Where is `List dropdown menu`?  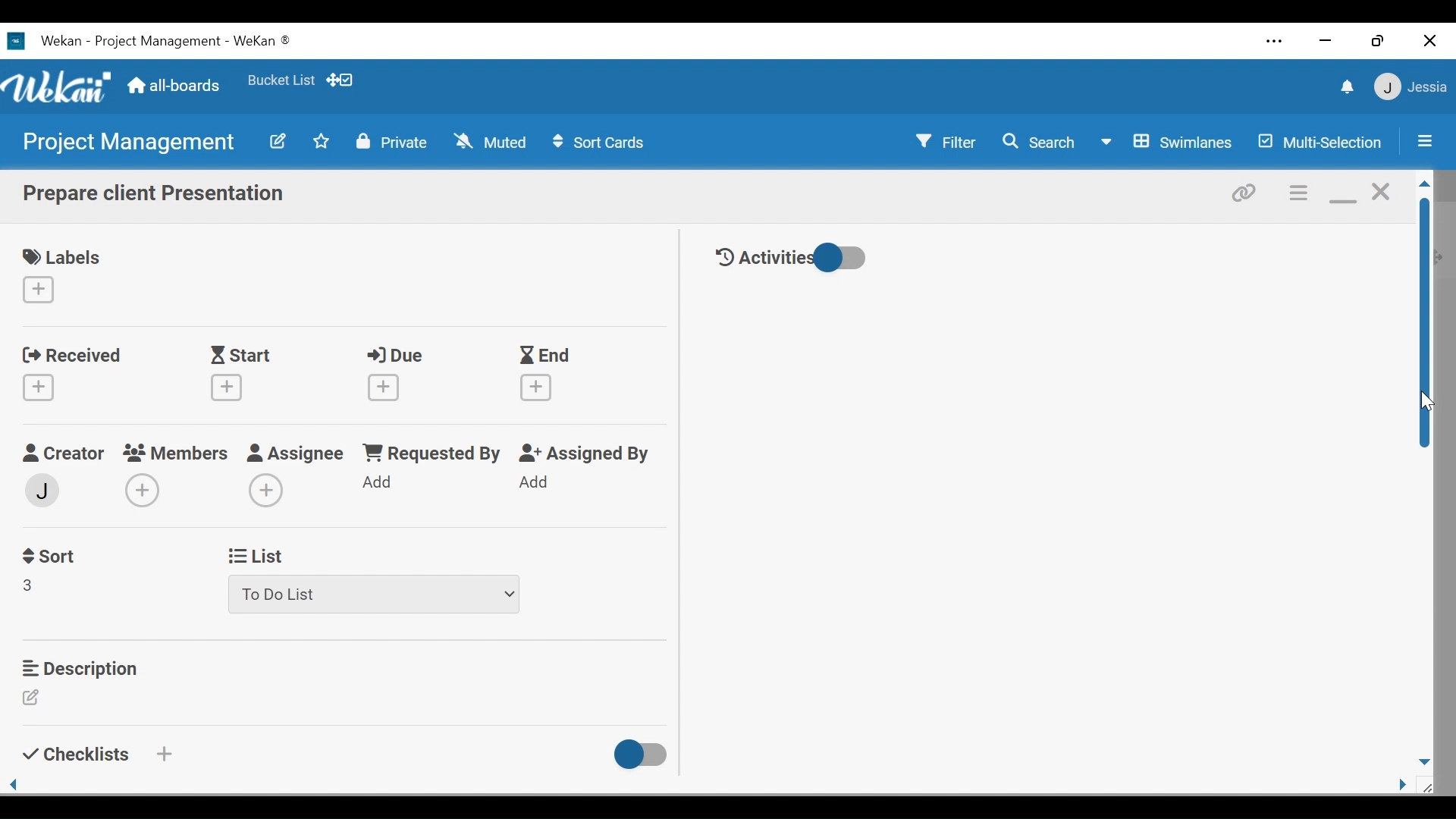
List dropdown menu is located at coordinates (375, 593).